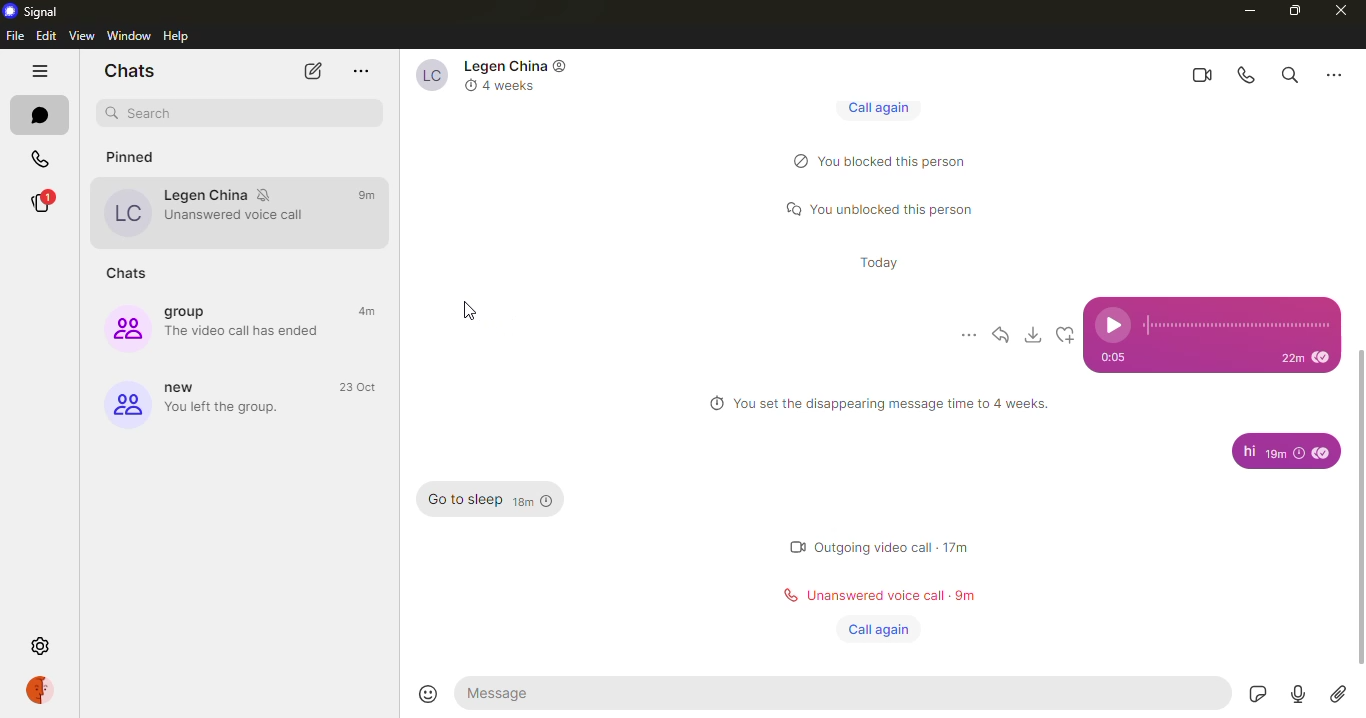 This screenshot has height=718, width=1366. What do you see at coordinates (198, 401) in the screenshot?
I see `group` at bounding box center [198, 401].